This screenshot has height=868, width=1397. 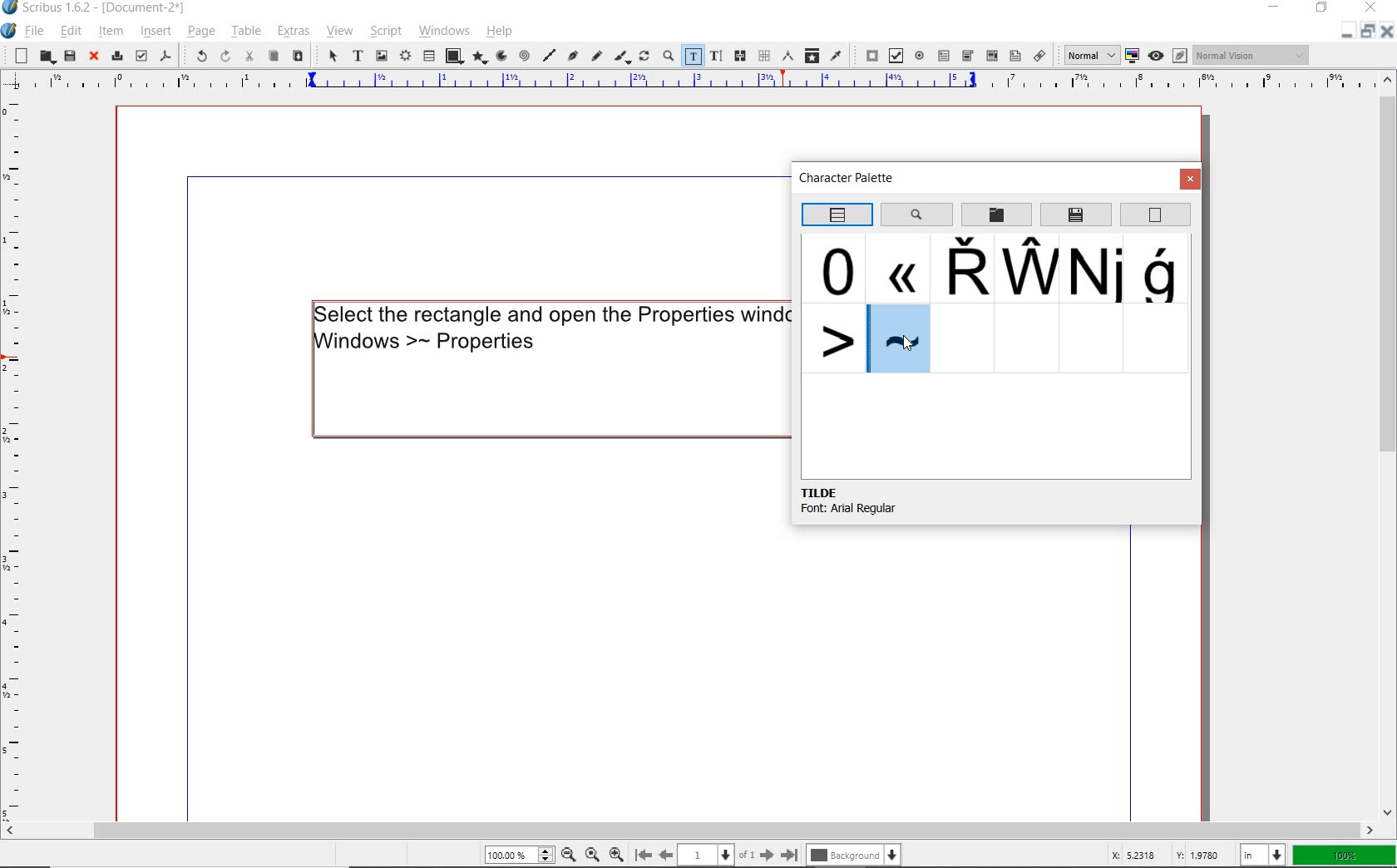 What do you see at coordinates (1389, 446) in the screenshot?
I see `scrollbar` at bounding box center [1389, 446].